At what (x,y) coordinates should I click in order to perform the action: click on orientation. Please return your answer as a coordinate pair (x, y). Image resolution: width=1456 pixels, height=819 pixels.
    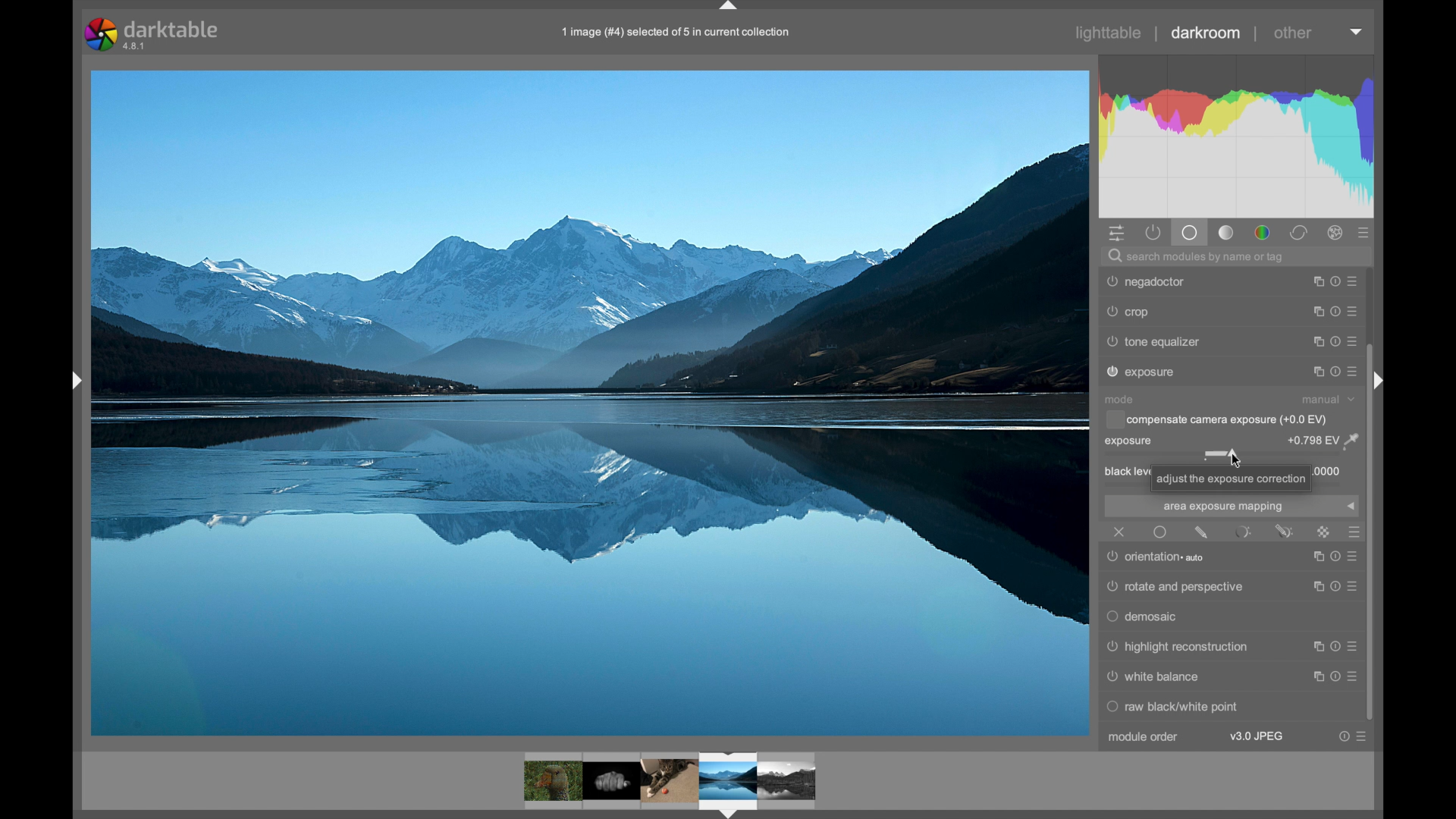
    Looking at the image, I should click on (1160, 557).